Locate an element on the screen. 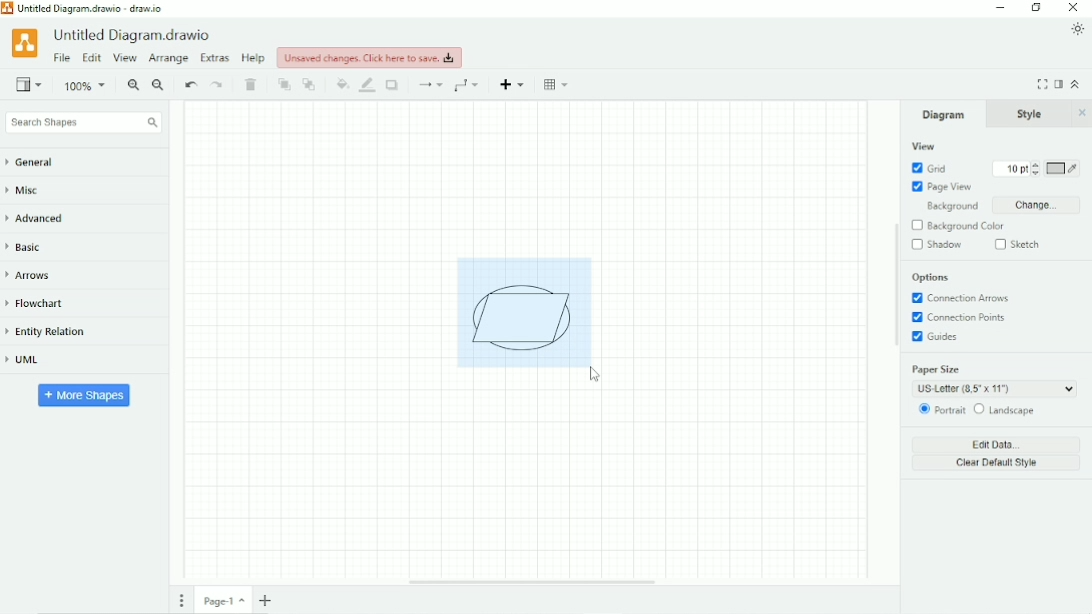 This screenshot has width=1092, height=614. Logo is located at coordinates (24, 42).